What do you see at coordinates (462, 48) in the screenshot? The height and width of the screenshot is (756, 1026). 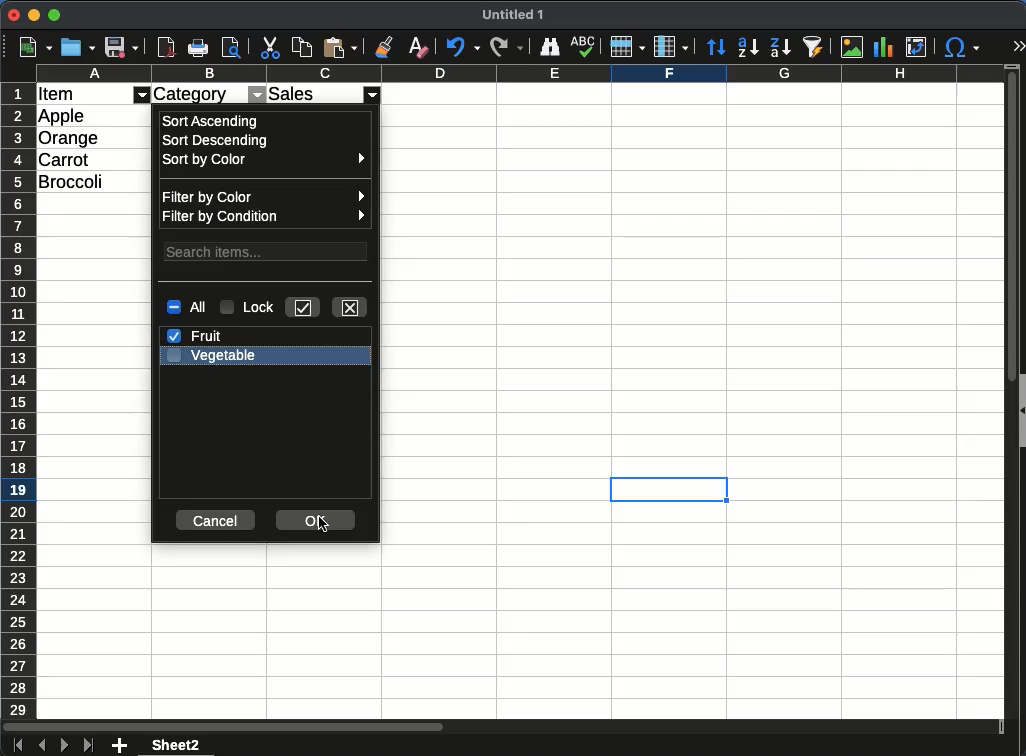 I see `undo` at bounding box center [462, 48].